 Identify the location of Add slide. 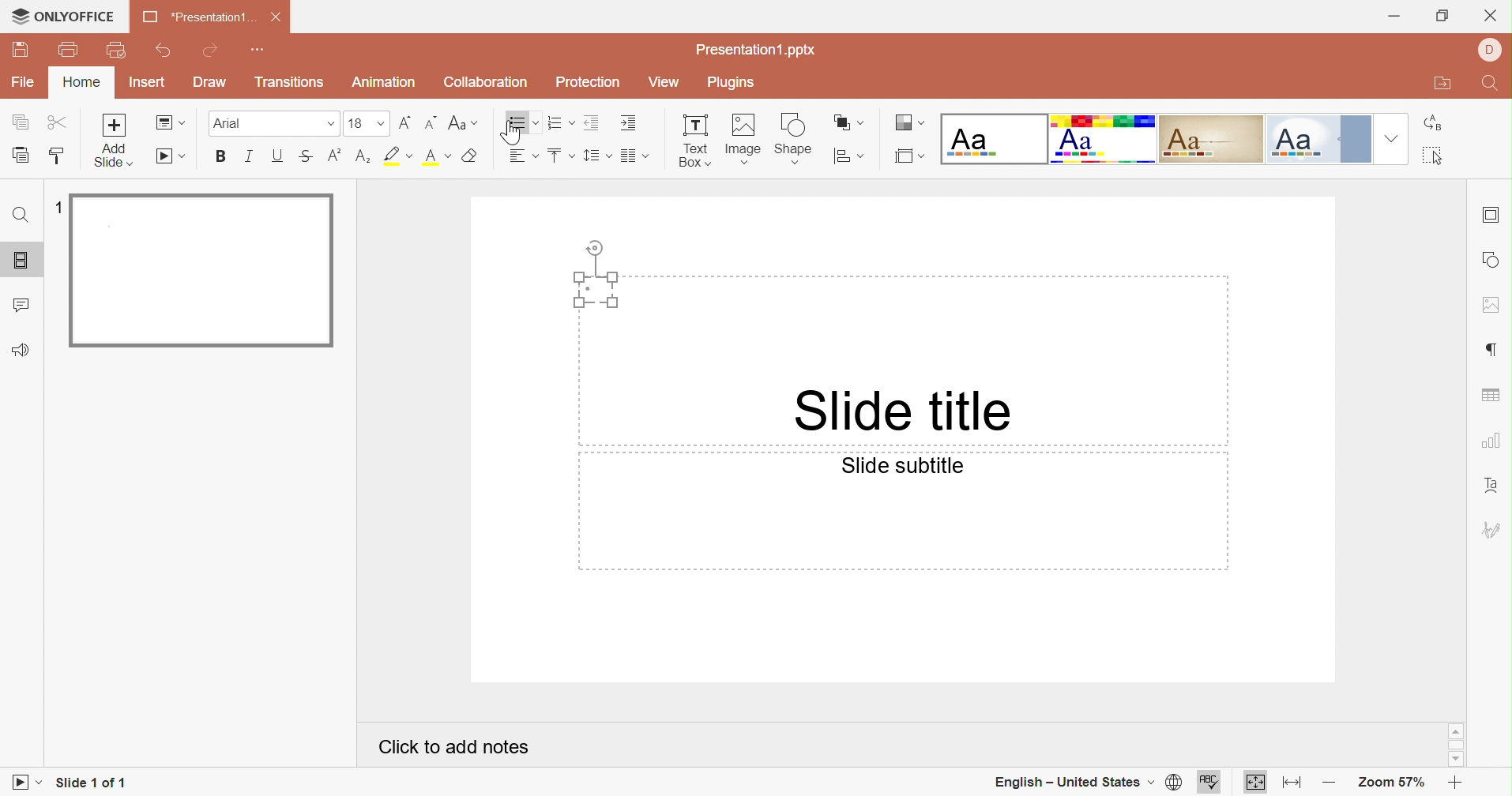
(115, 140).